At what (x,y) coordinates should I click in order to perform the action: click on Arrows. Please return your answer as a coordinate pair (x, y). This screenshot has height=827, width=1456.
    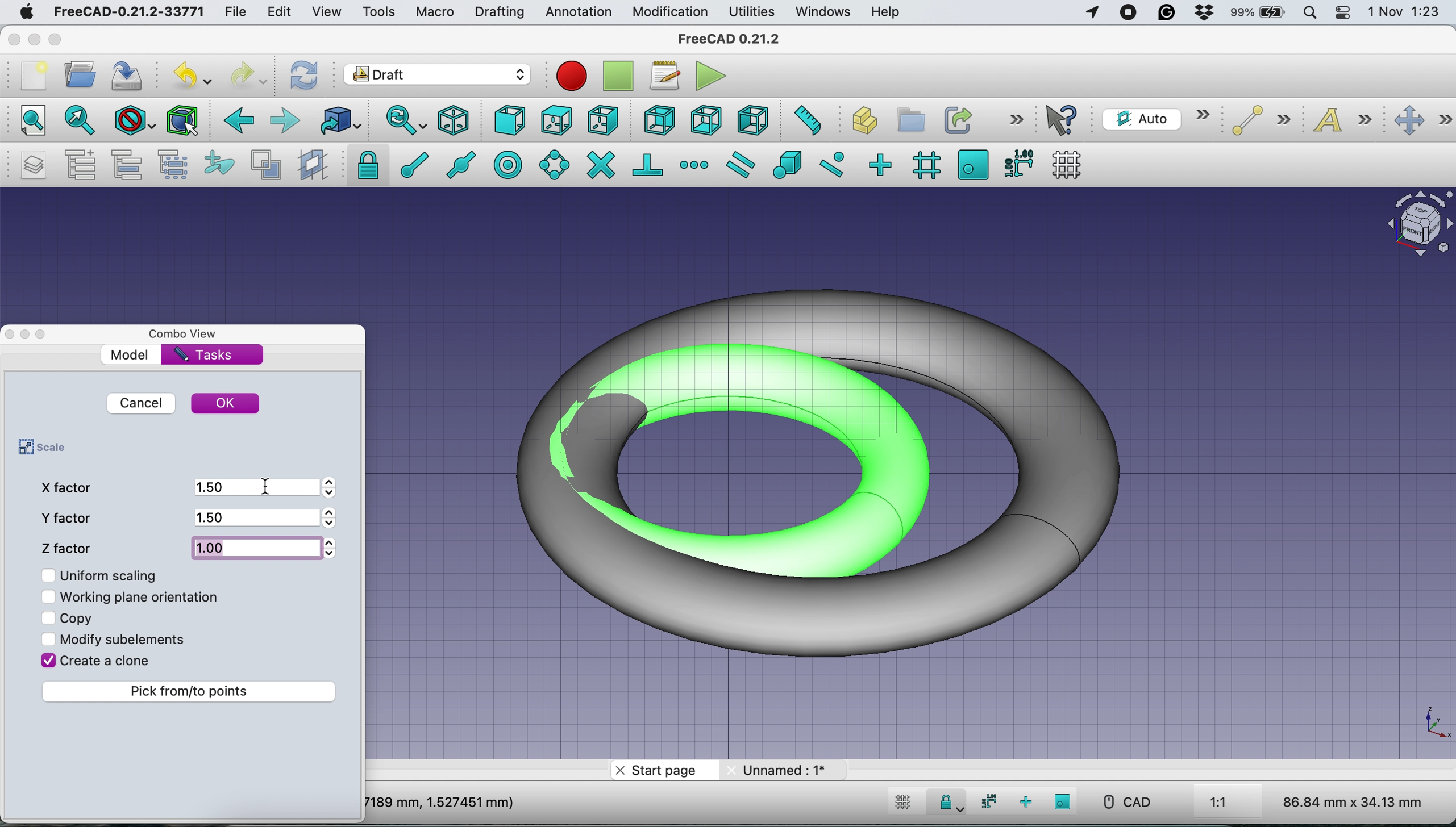
    Looking at the image, I should click on (334, 519).